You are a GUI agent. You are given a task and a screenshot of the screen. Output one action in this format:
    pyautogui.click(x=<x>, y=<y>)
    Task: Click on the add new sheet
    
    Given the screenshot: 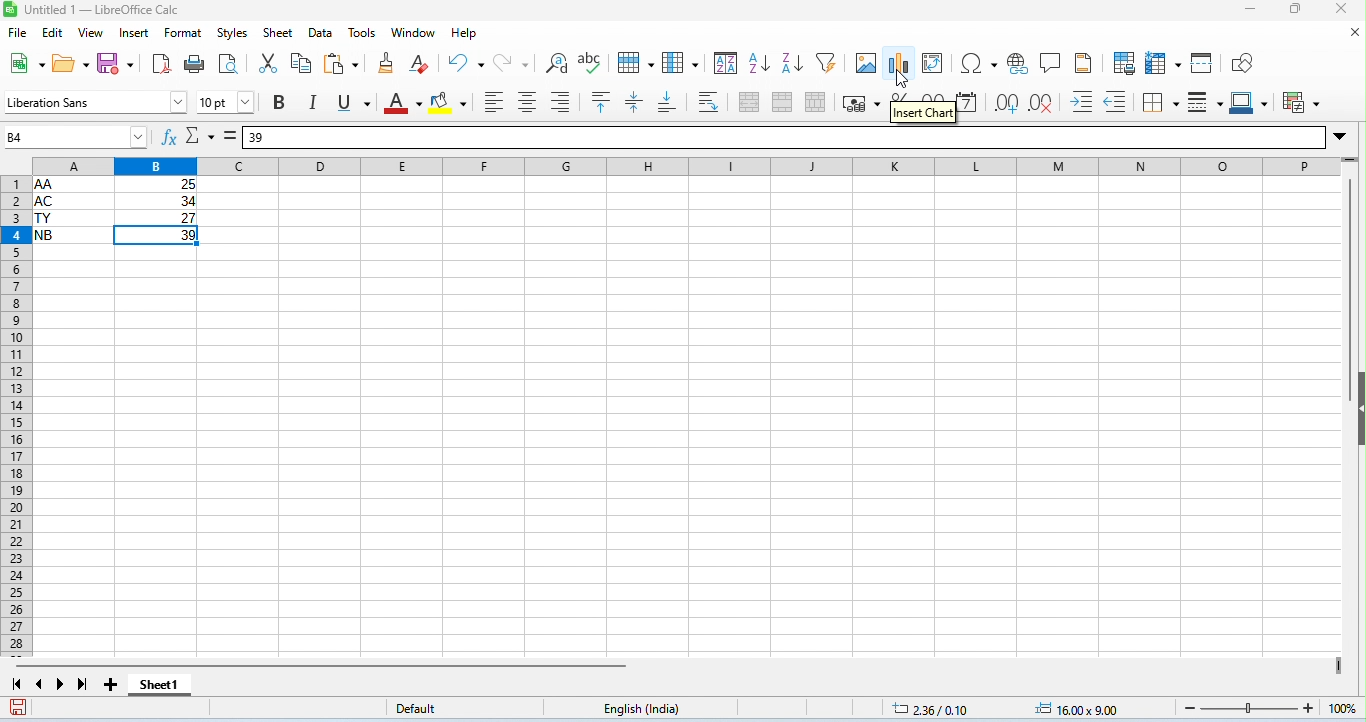 What is the action you would take?
    pyautogui.click(x=112, y=685)
    